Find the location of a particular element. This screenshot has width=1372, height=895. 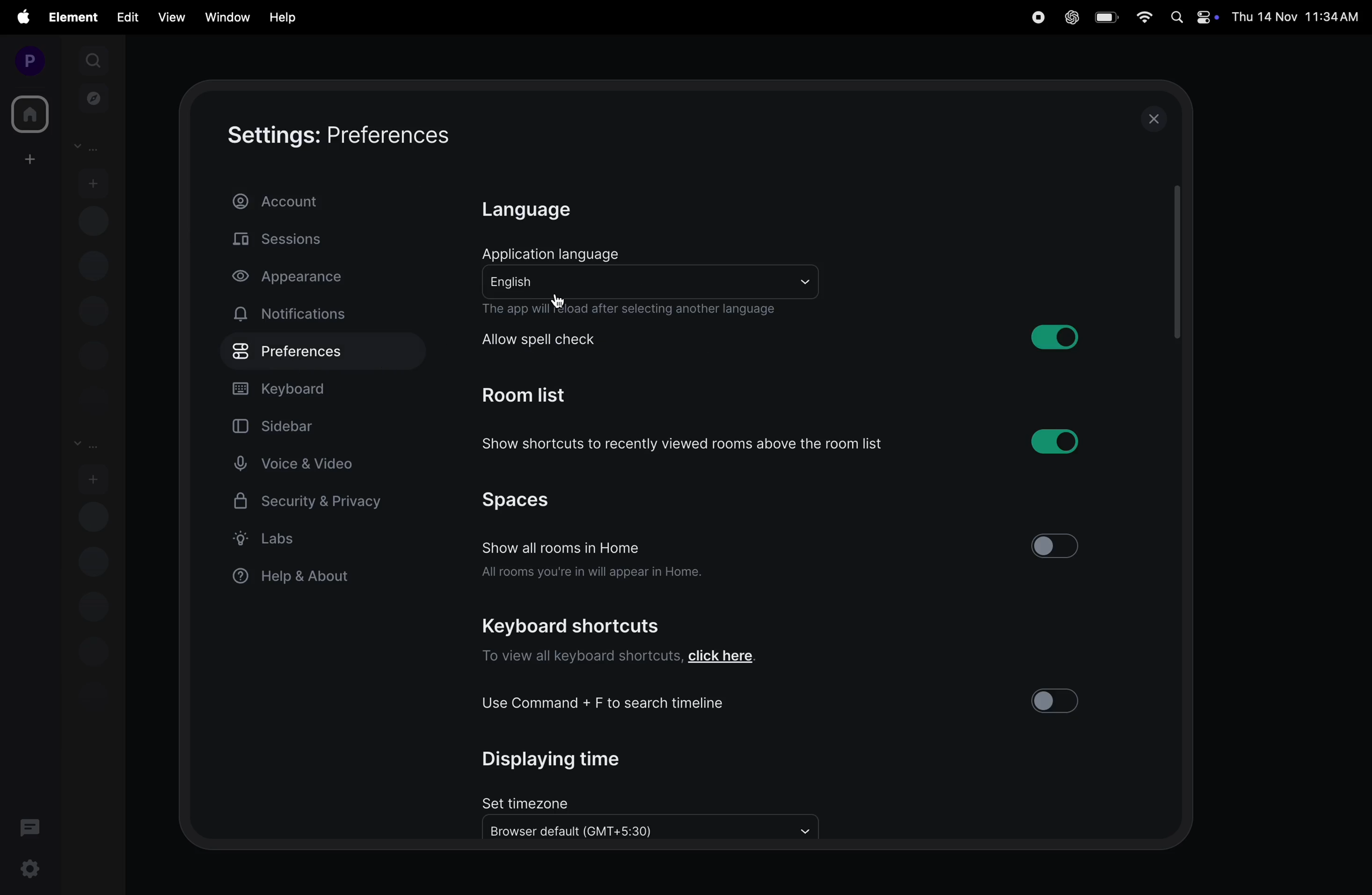

display time is located at coordinates (578, 756).